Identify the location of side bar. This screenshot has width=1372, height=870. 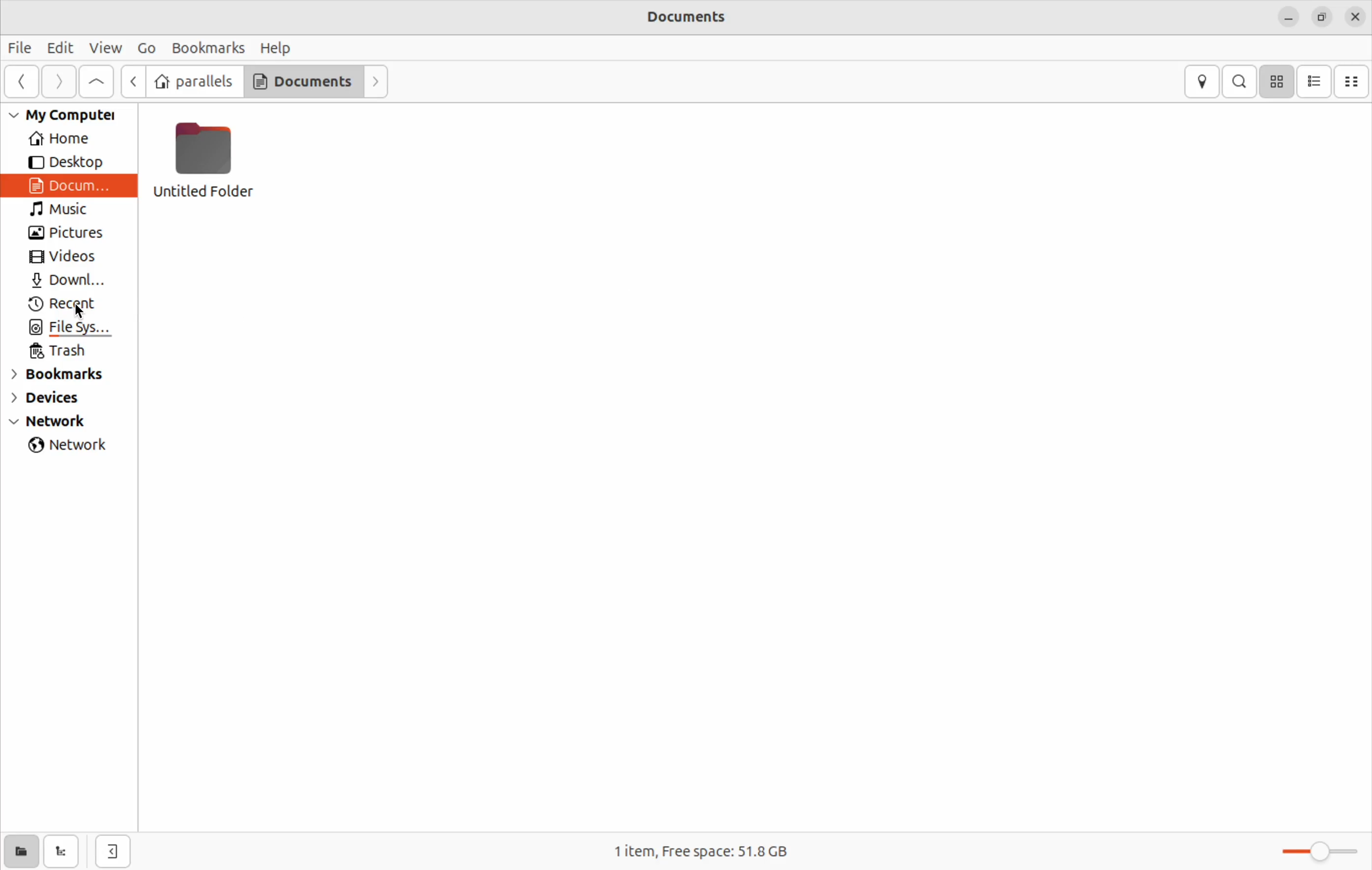
(23, 80).